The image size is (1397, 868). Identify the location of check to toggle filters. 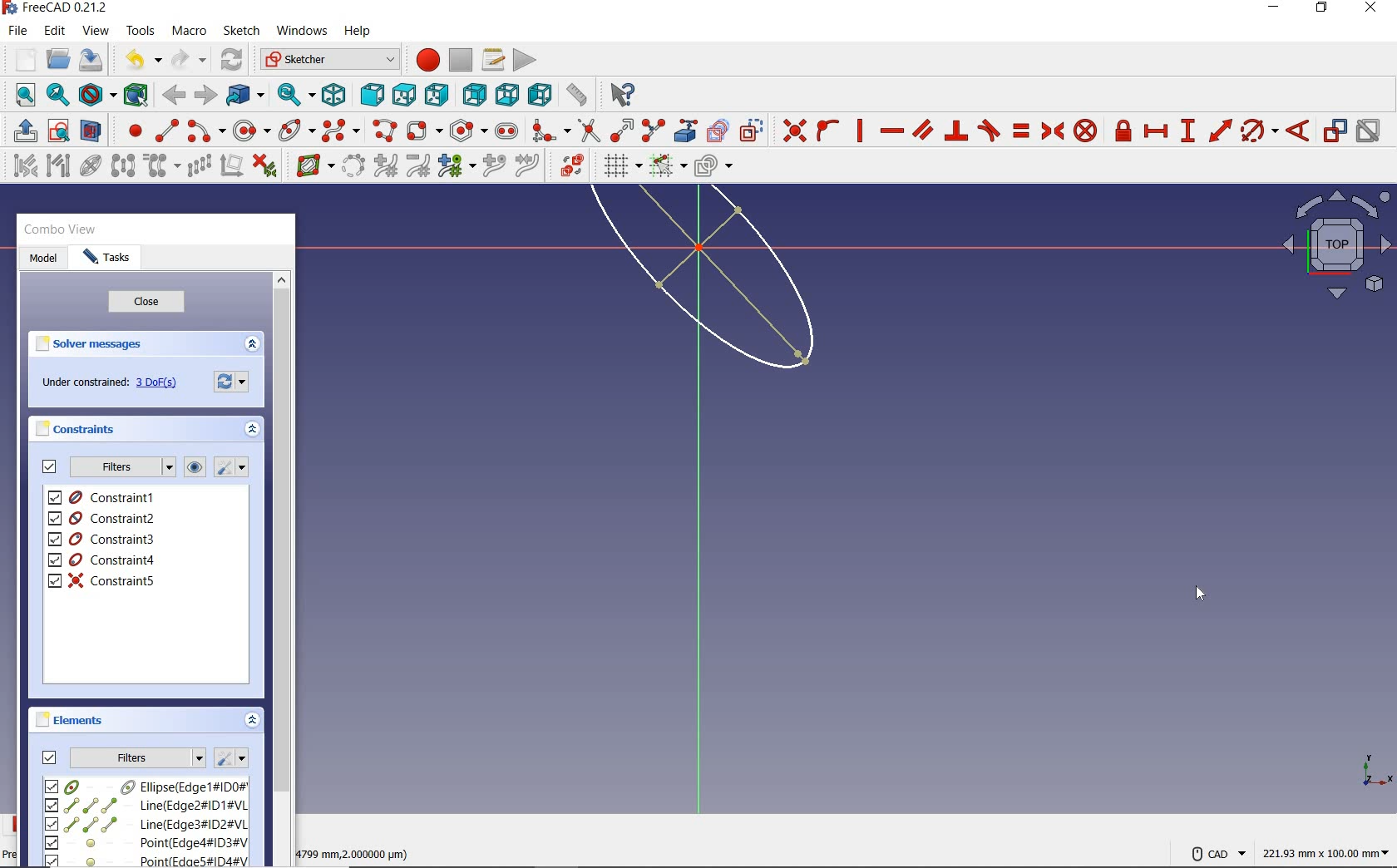
(50, 757).